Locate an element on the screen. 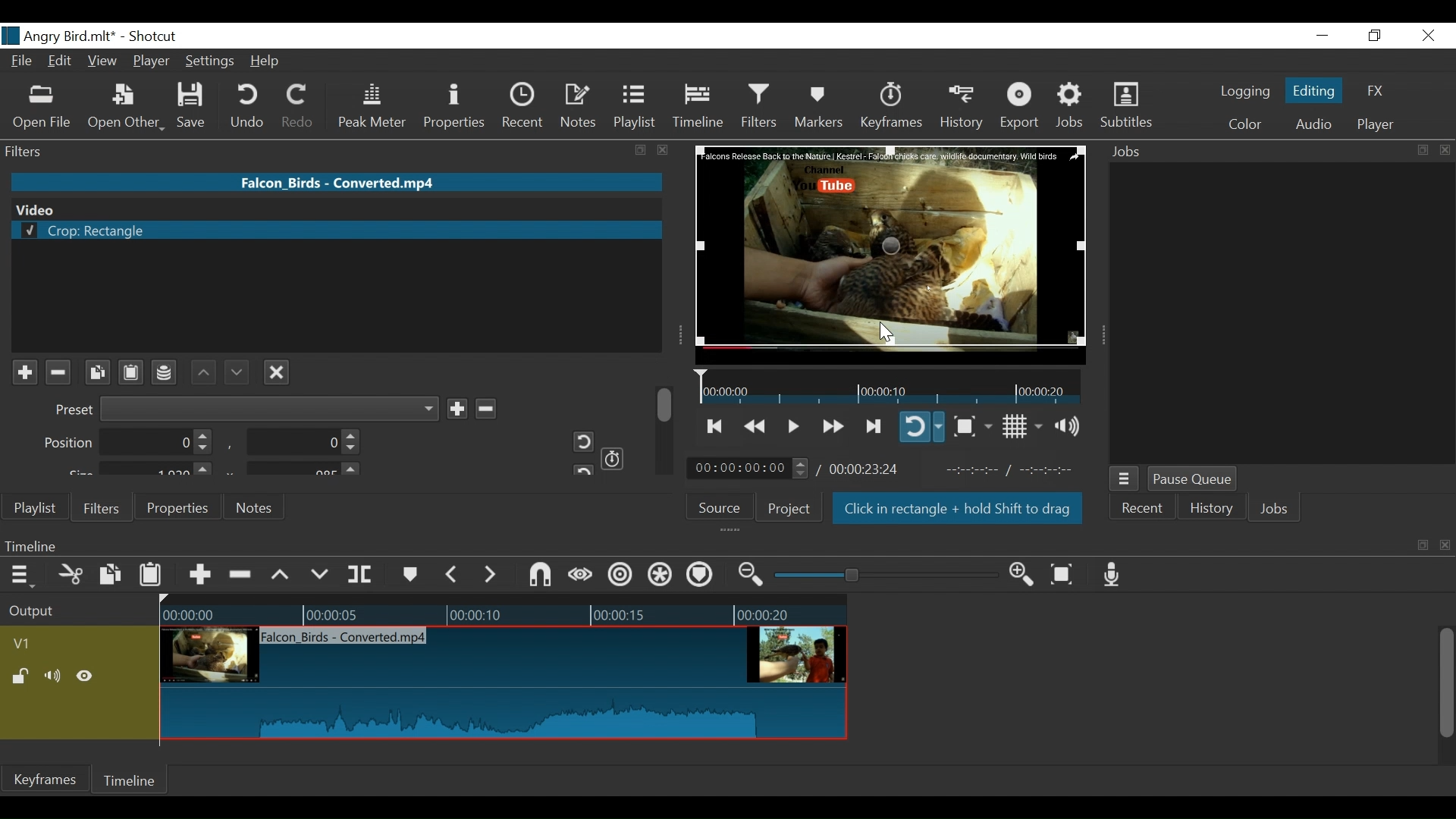 The image size is (1456, 819). Notes is located at coordinates (579, 106).